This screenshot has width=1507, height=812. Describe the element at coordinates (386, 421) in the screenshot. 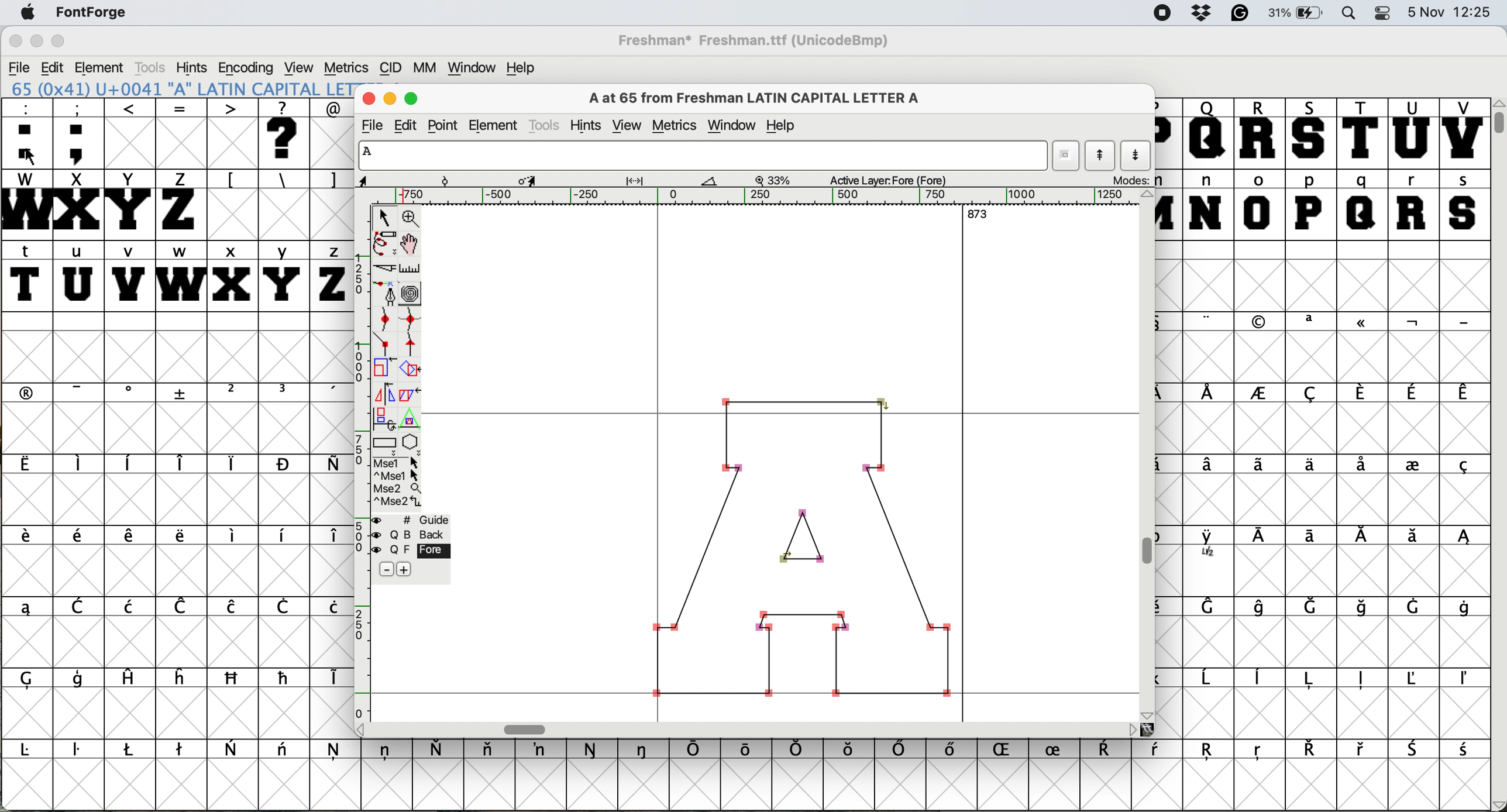

I see `rotate selection in 3d and project back to plane` at that location.